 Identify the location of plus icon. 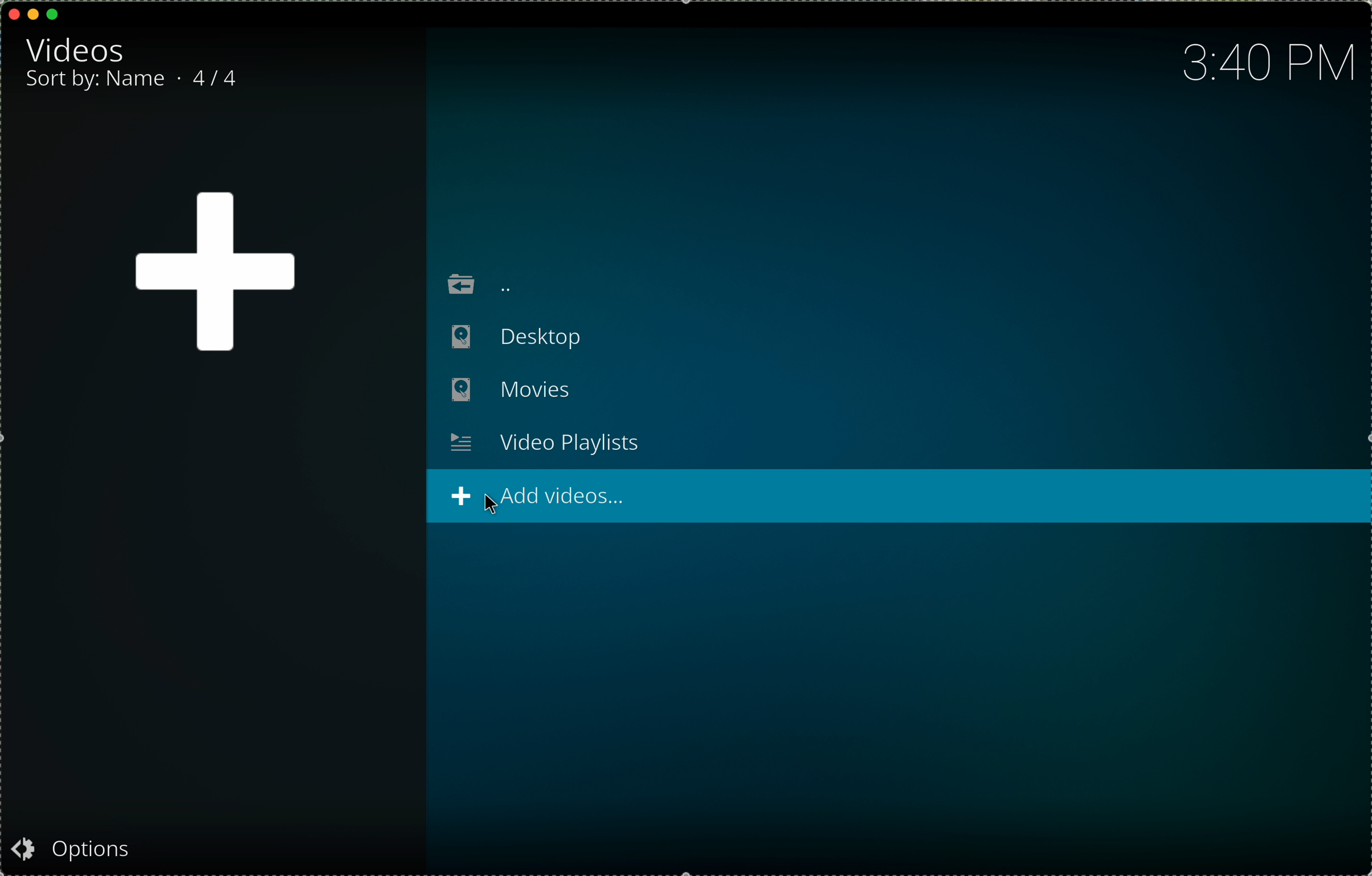
(214, 274).